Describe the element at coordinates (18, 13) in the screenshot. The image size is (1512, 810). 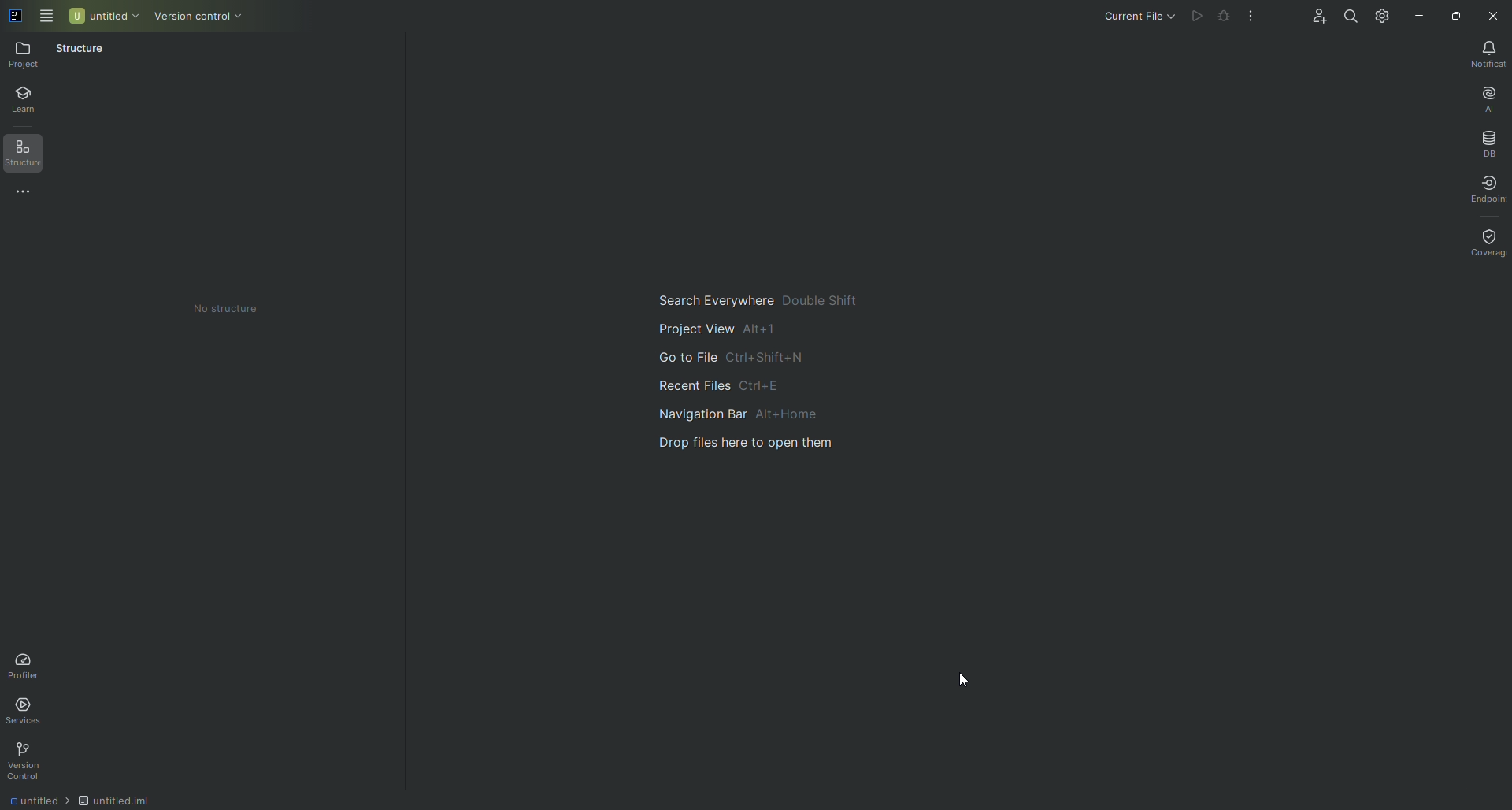
I see `` at that location.